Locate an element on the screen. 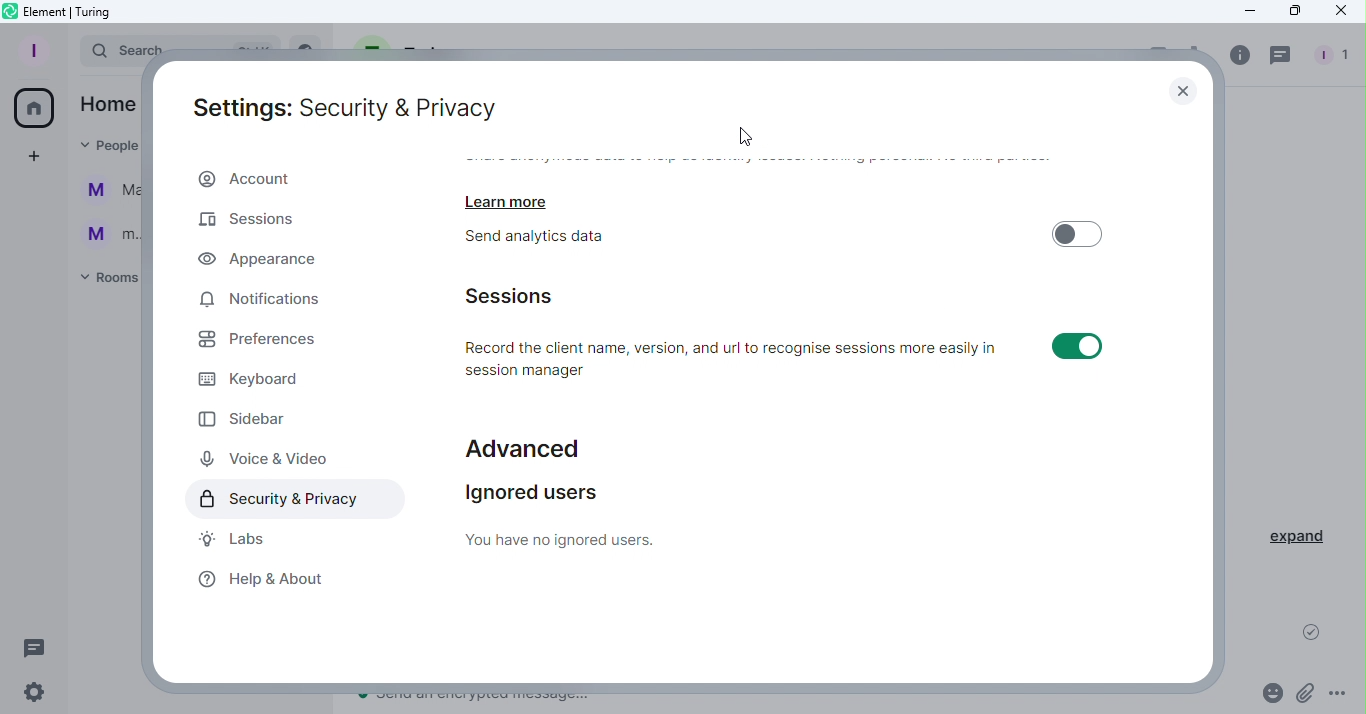 Image resolution: width=1366 pixels, height=714 pixels. Toggle is located at coordinates (1079, 232).